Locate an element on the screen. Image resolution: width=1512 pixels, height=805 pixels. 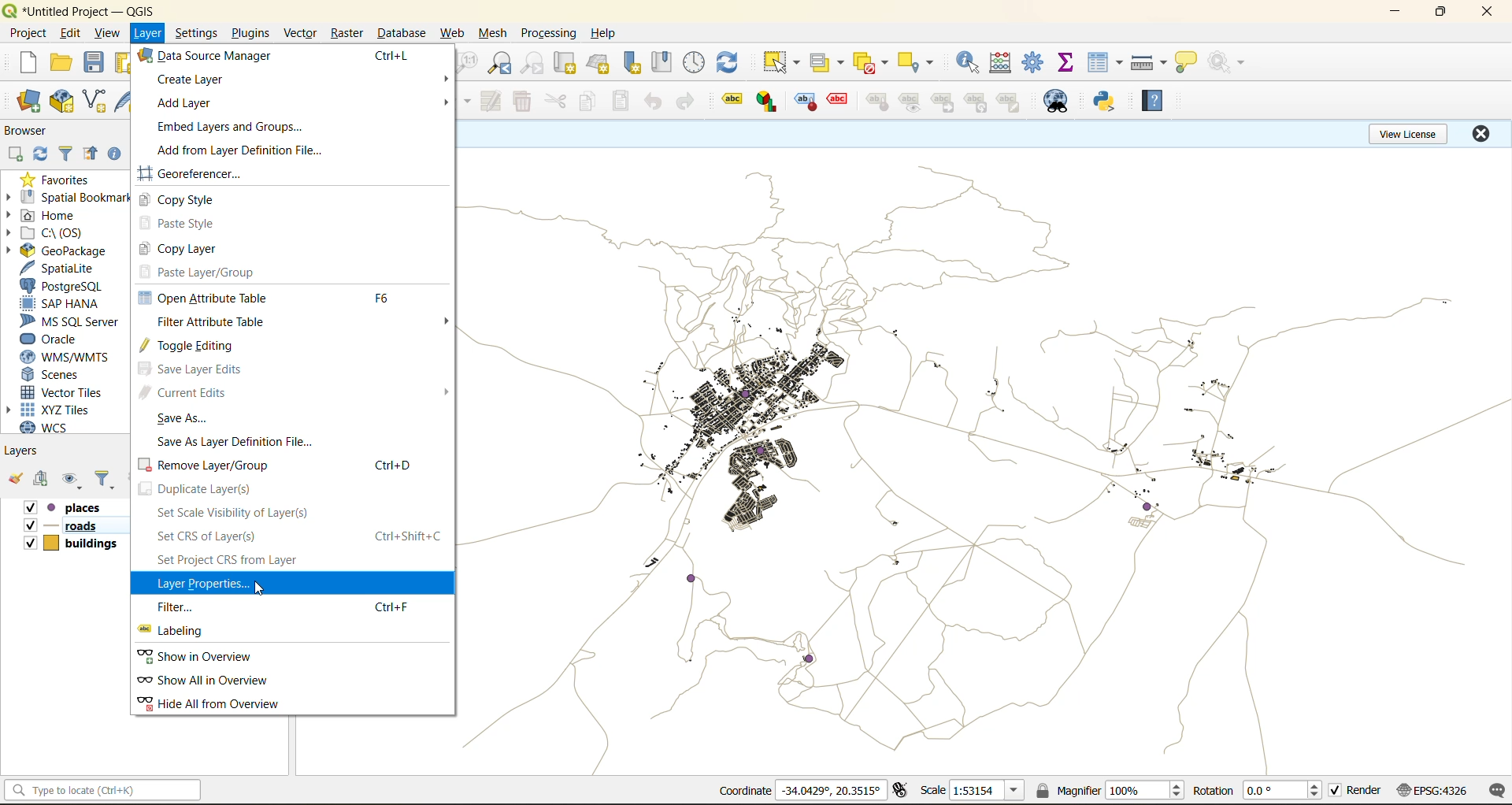
show in overview is located at coordinates (213, 657).